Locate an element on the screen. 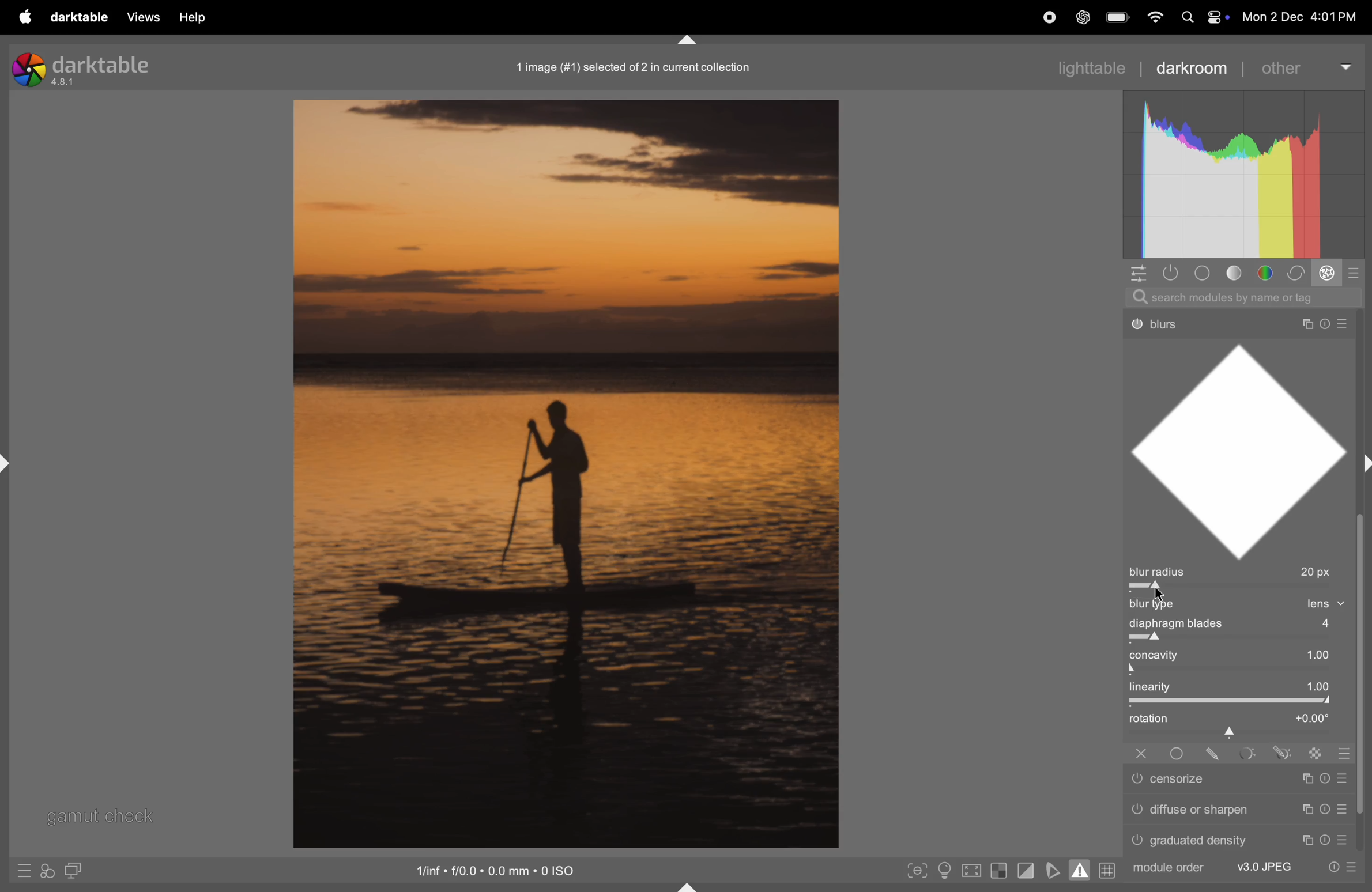  shape is located at coordinates (1245, 448).